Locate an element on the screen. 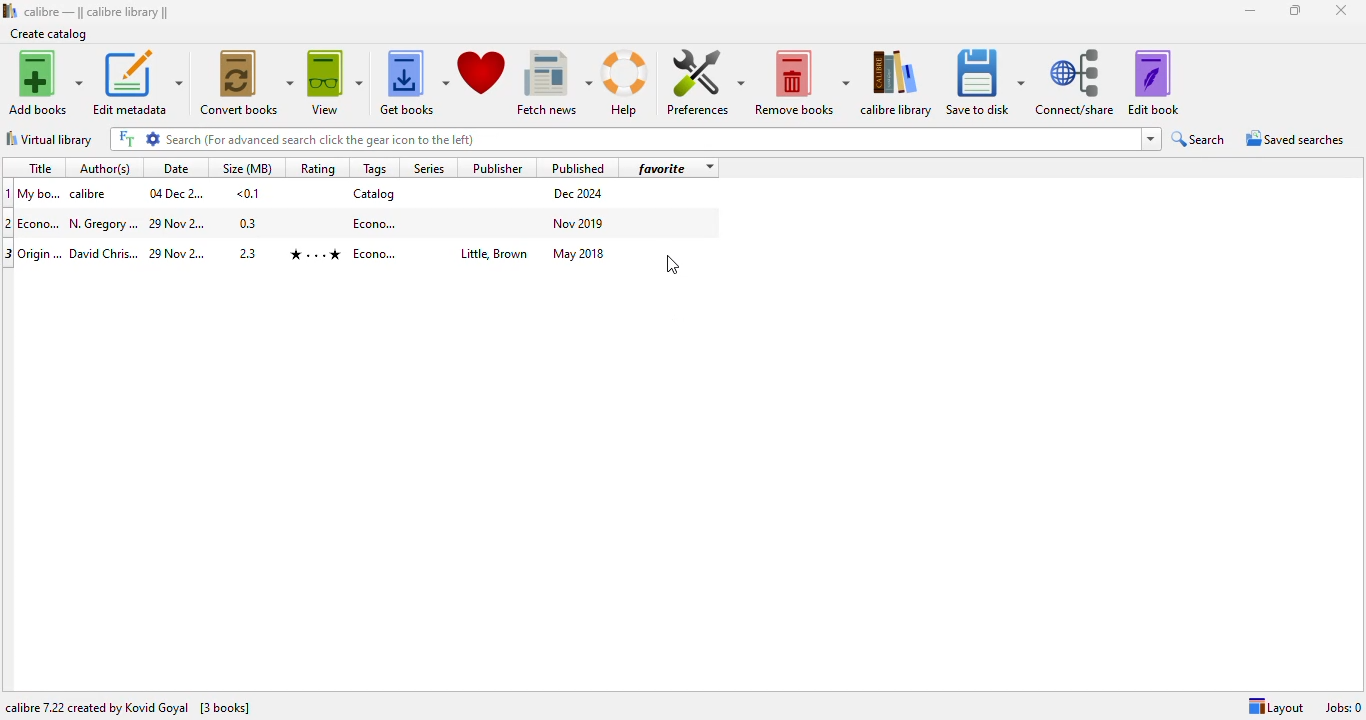 The image size is (1366, 720). date is located at coordinates (176, 193).